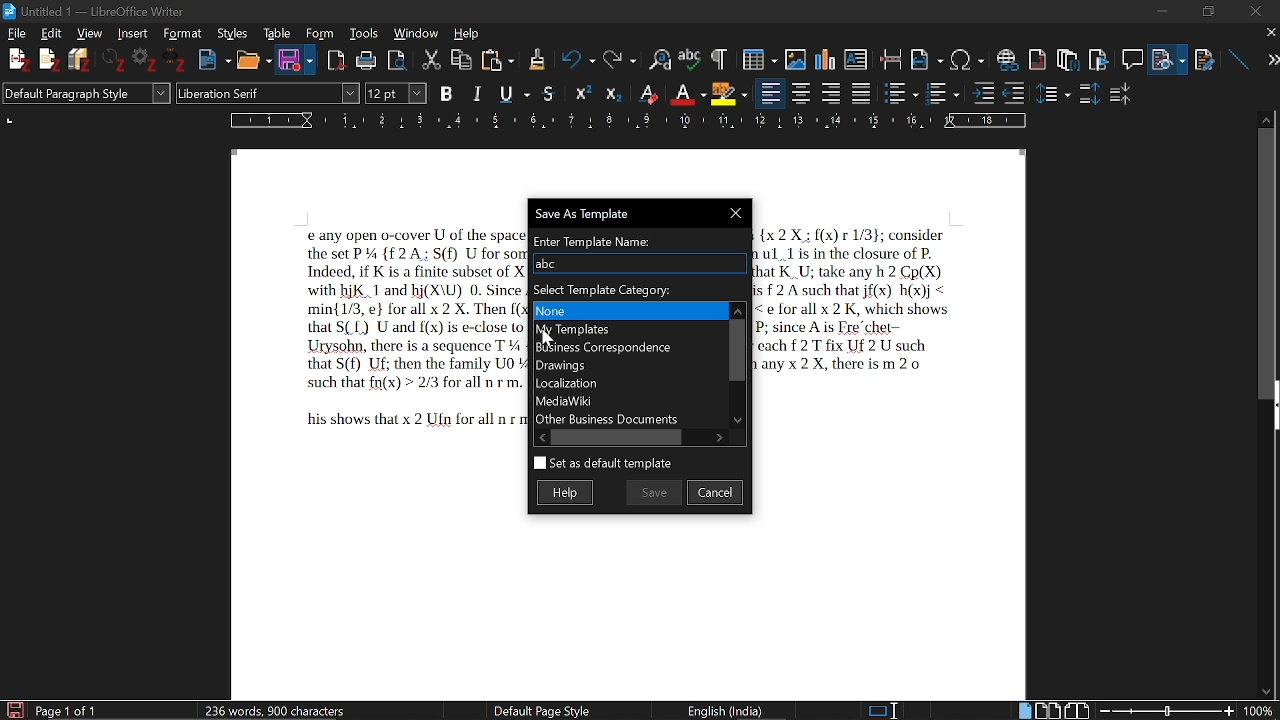 Image resolution: width=1280 pixels, height=720 pixels. I want to click on Default Paragraph Style, so click(84, 95).